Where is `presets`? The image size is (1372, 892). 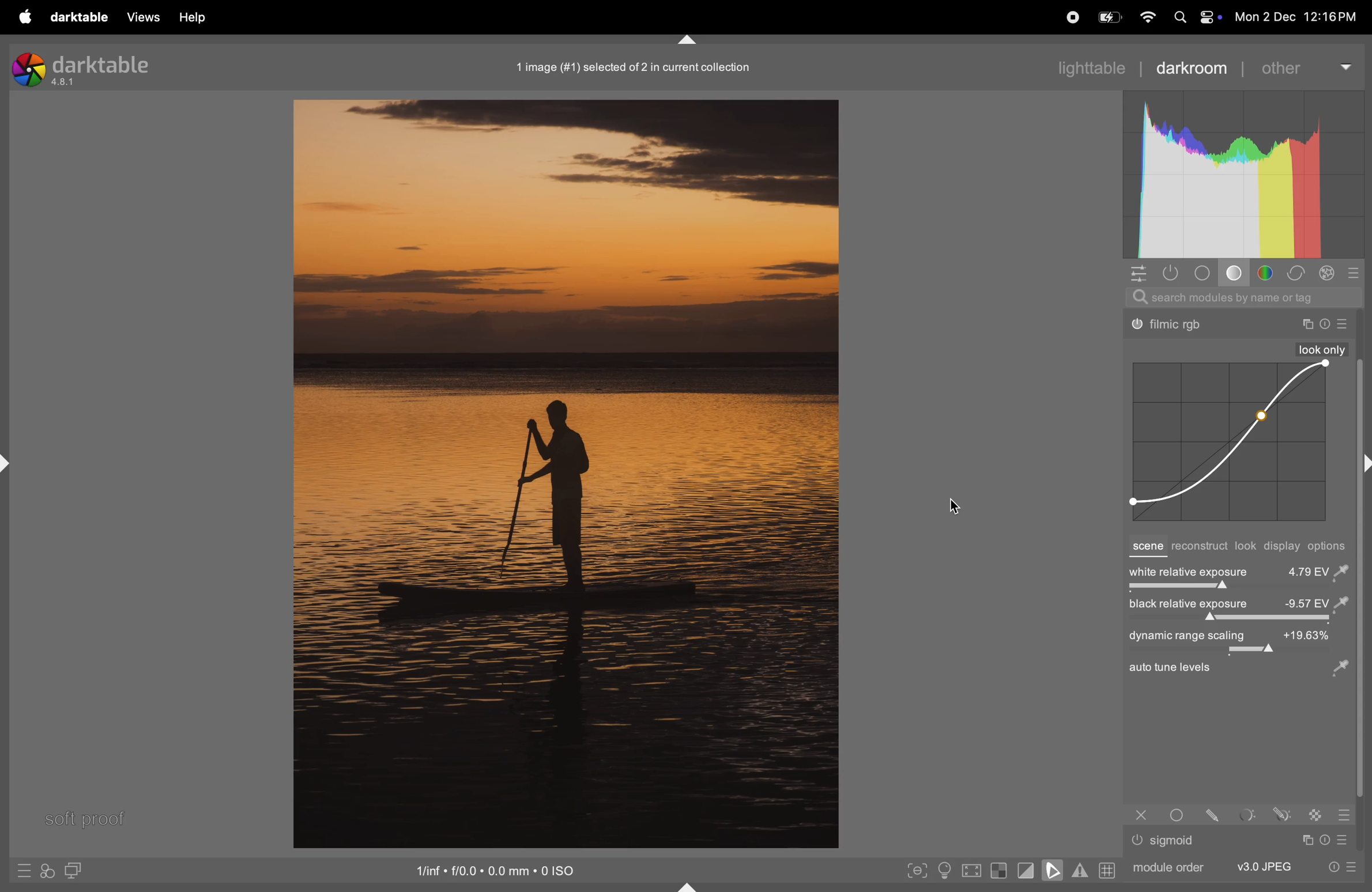 presets is located at coordinates (1355, 273).